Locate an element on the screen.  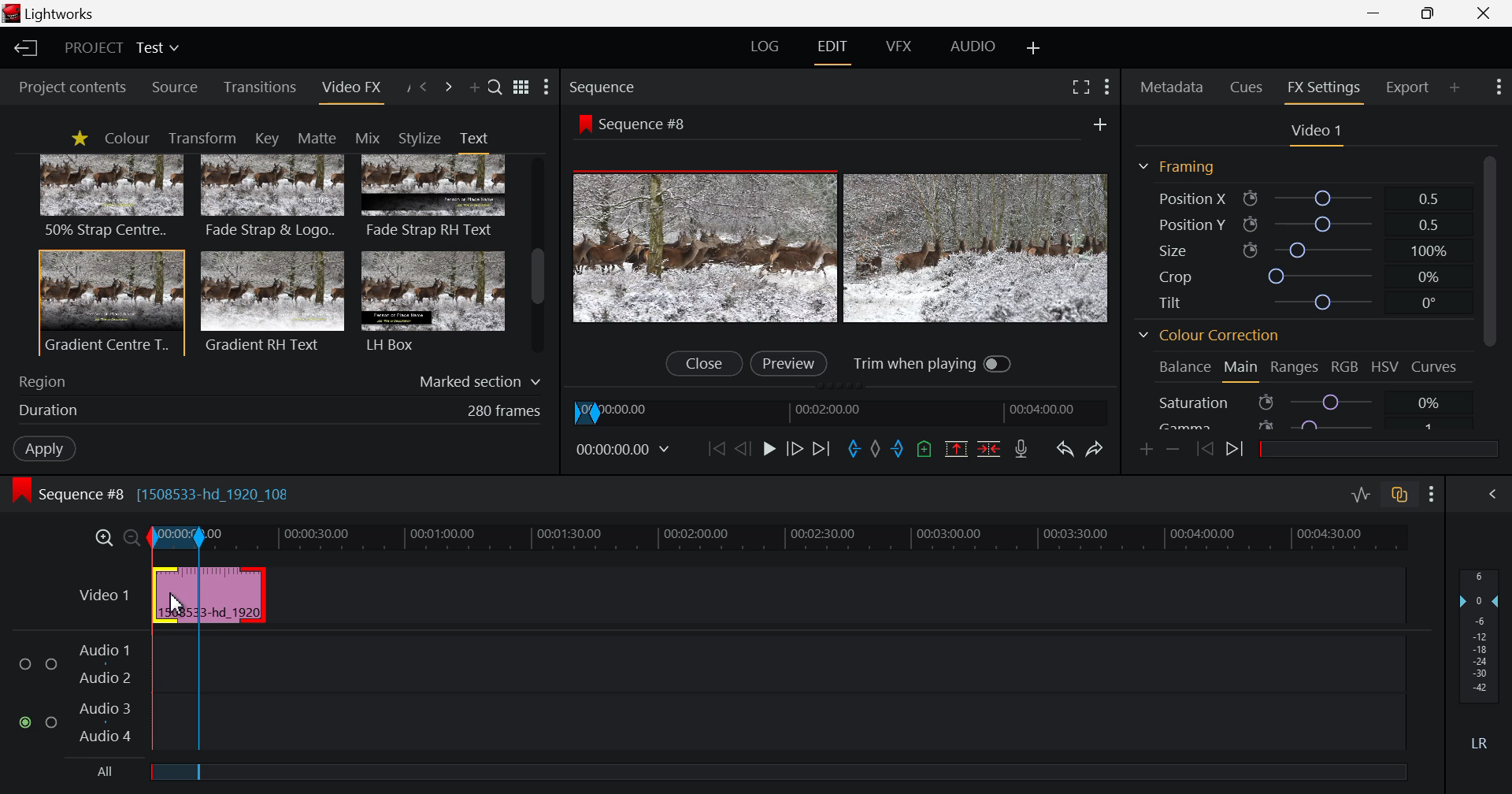
Project Timeline Navigator is located at coordinates (845, 409).